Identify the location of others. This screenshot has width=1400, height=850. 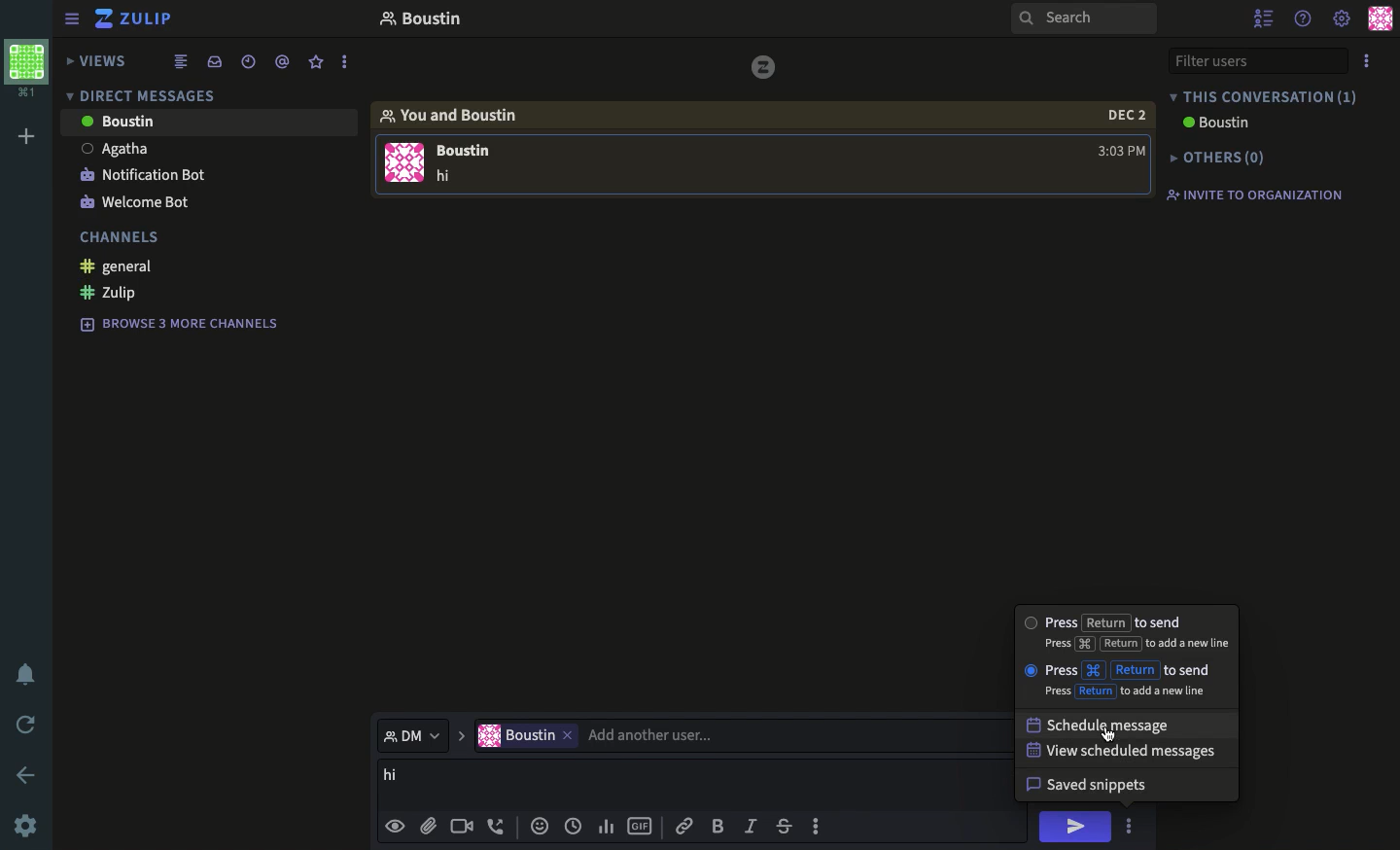
(1226, 155).